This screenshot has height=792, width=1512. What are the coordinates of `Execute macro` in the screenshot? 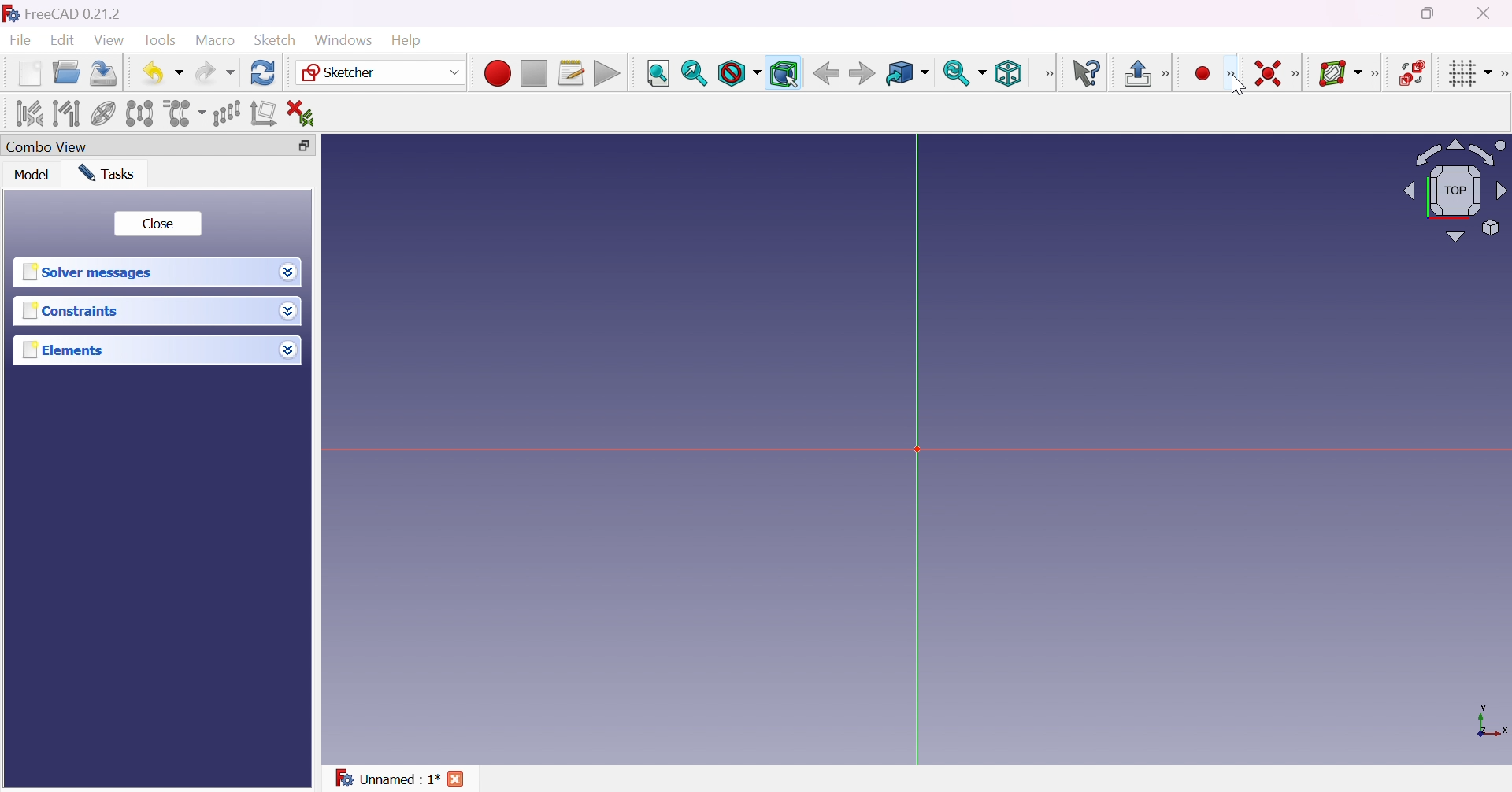 It's located at (607, 75).